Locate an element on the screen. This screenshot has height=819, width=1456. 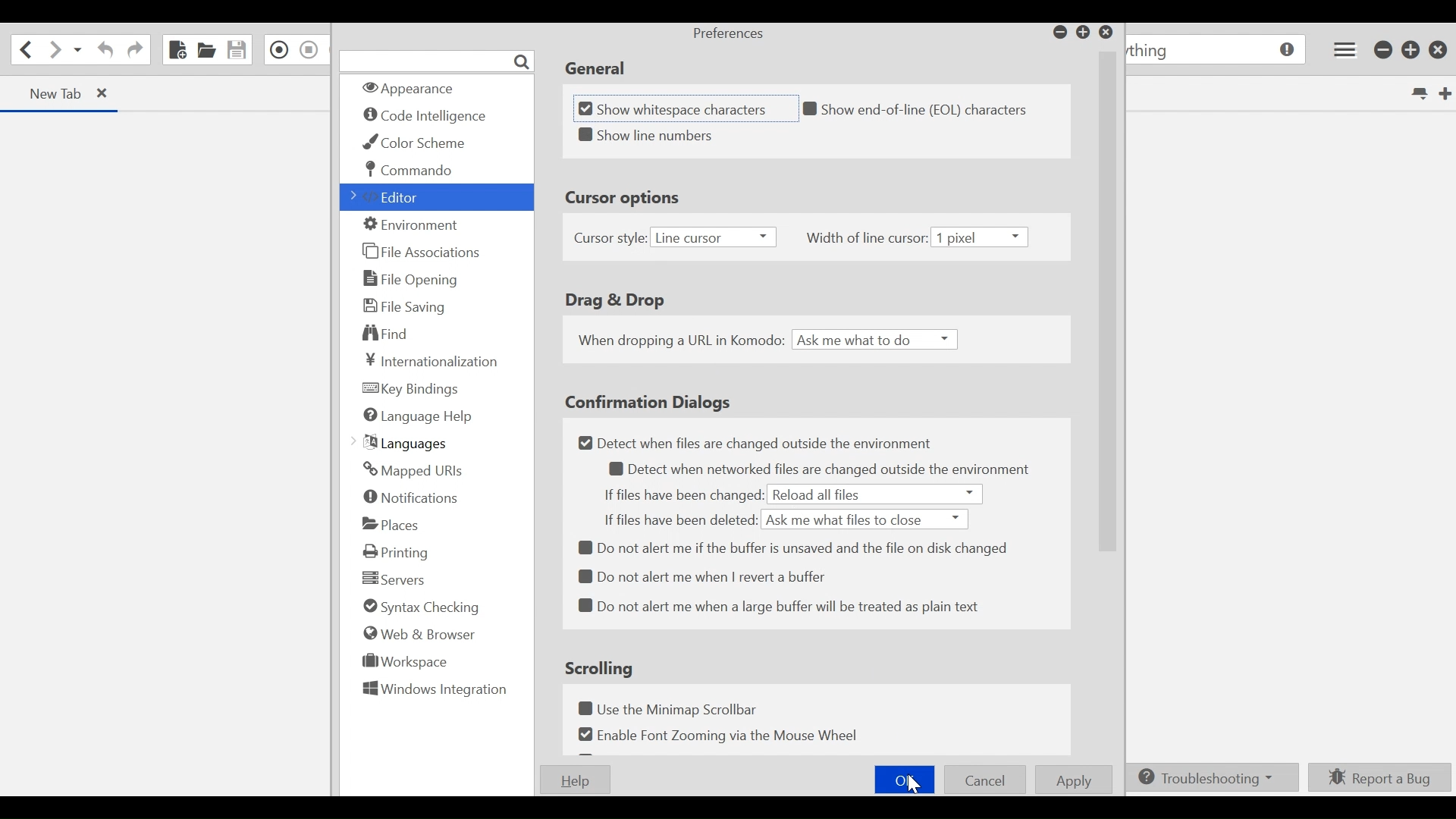
Internationalization is located at coordinates (427, 360).